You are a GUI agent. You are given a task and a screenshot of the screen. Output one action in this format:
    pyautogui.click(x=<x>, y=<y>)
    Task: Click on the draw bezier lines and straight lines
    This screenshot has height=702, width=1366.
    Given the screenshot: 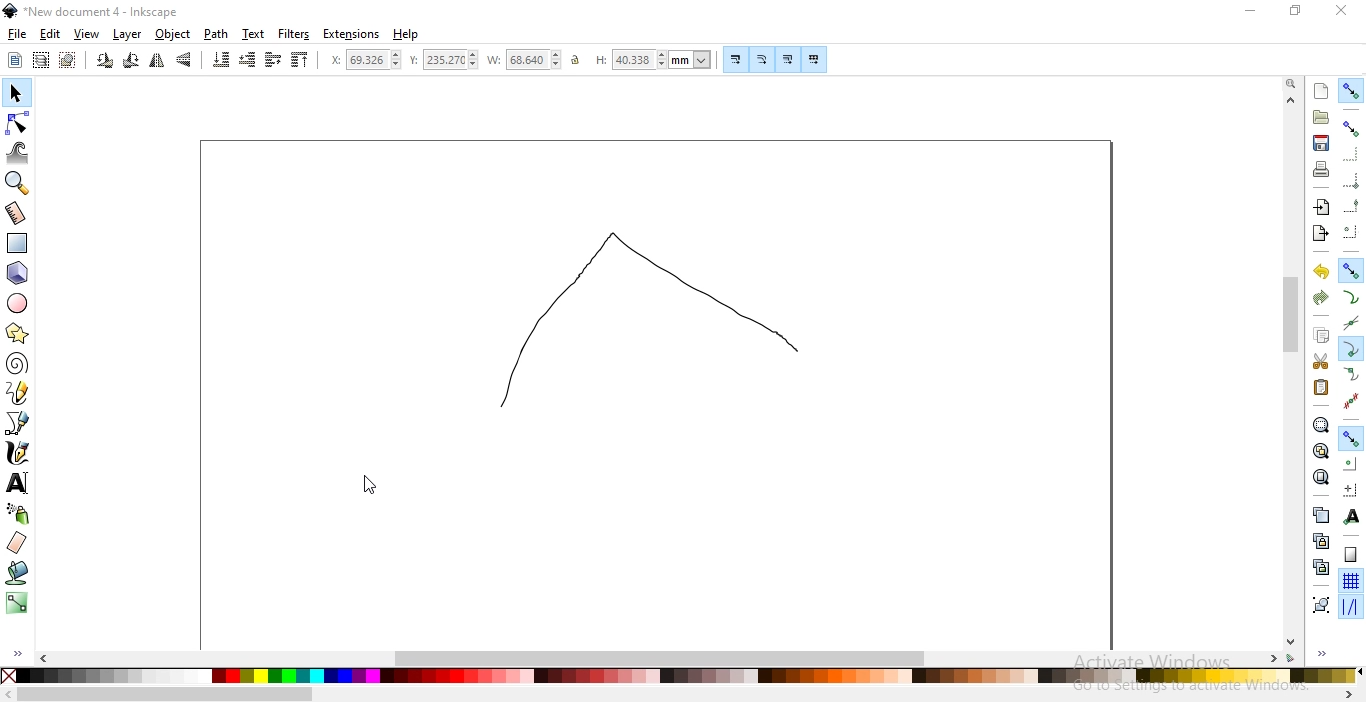 What is the action you would take?
    pyautogui.click(x=18, y=423)
    